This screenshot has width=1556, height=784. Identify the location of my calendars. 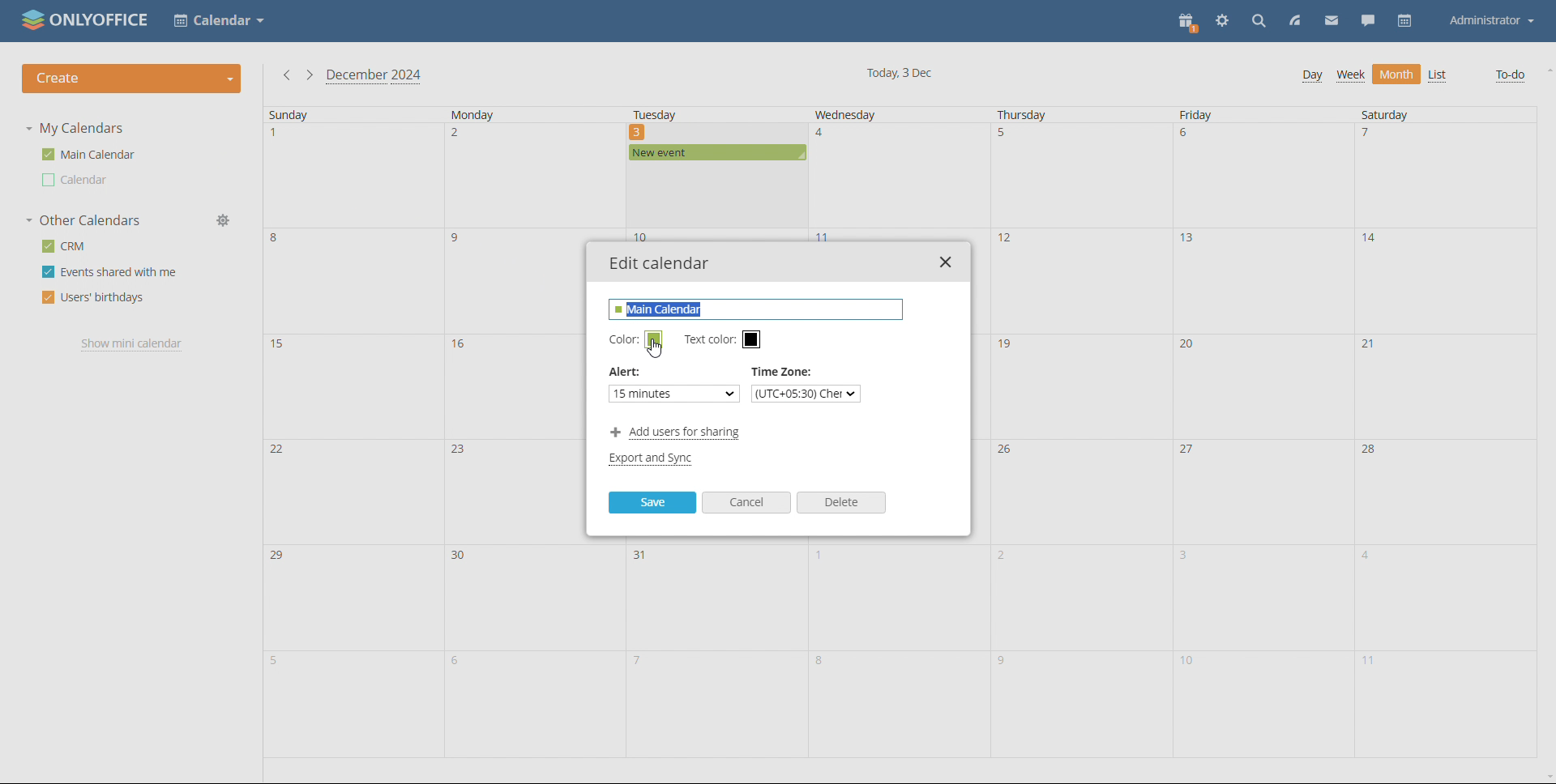
(75, 128).